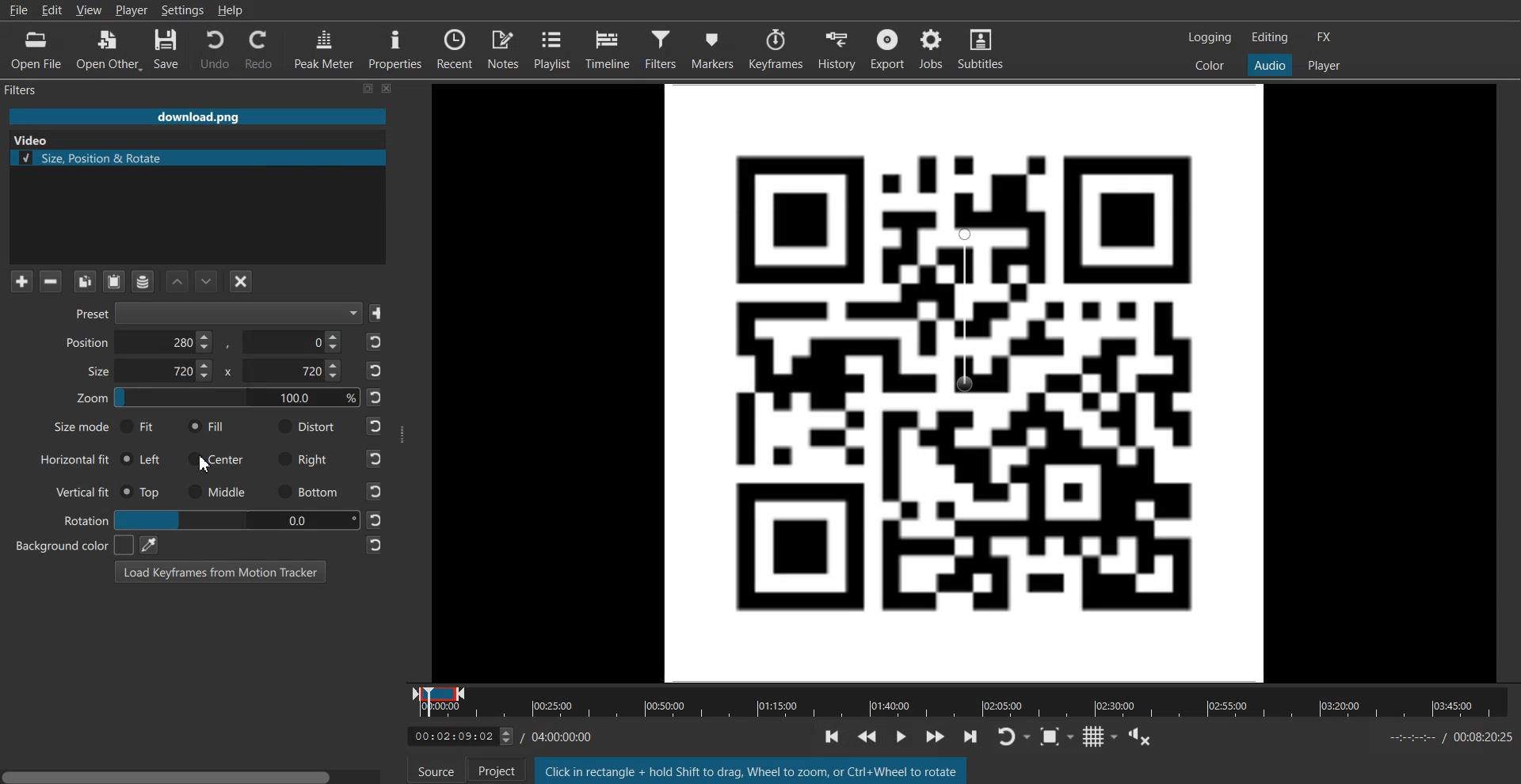  Describe the element at coordinates (210, 373) in the screenshot. I see `Size X & Y Co-ordinate` at that location.